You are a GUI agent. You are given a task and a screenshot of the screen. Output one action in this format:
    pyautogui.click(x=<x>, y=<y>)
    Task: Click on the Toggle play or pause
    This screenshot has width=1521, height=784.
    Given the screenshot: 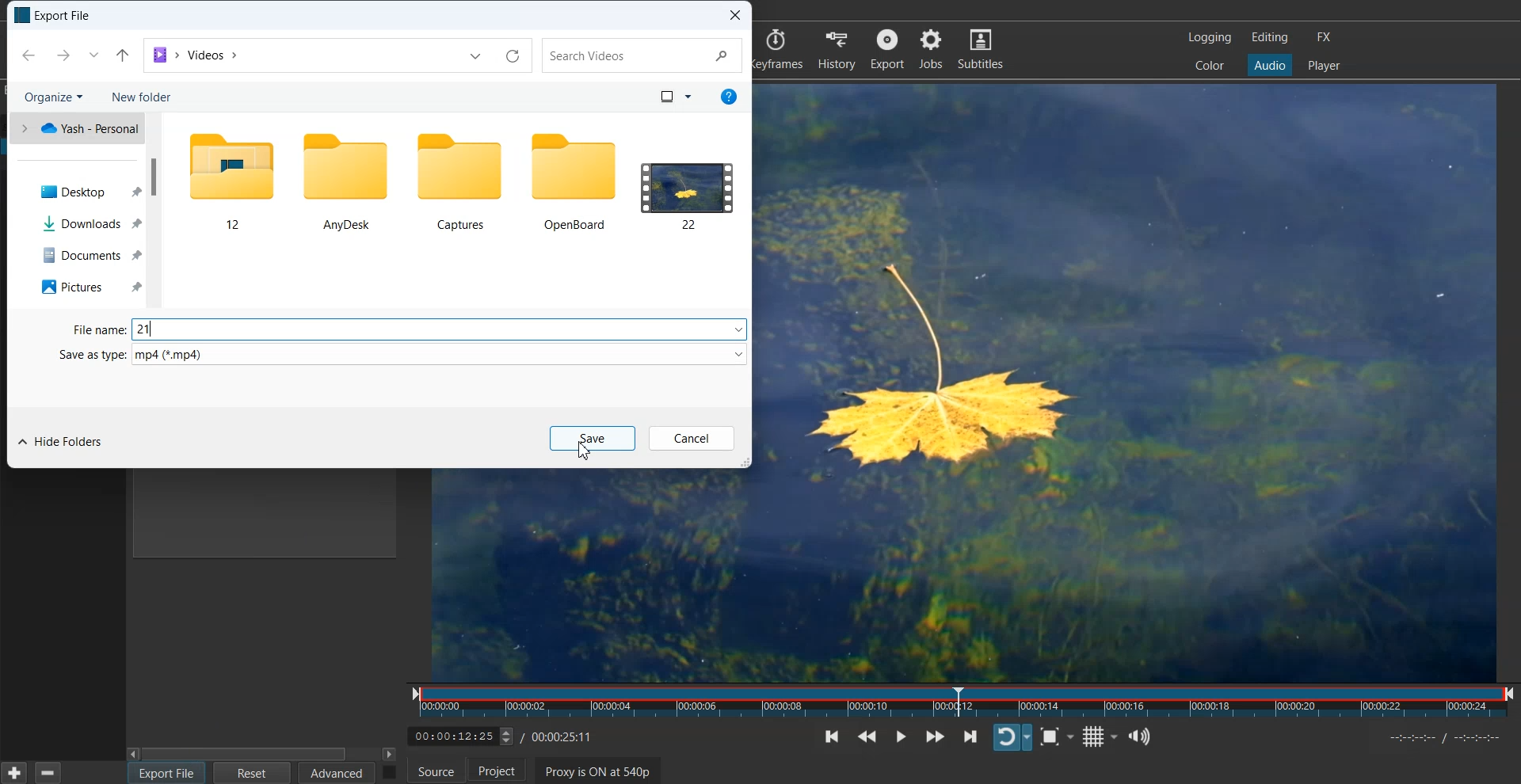 What is the action you would take?
    pyautogui.click(x=905, y=736)
    